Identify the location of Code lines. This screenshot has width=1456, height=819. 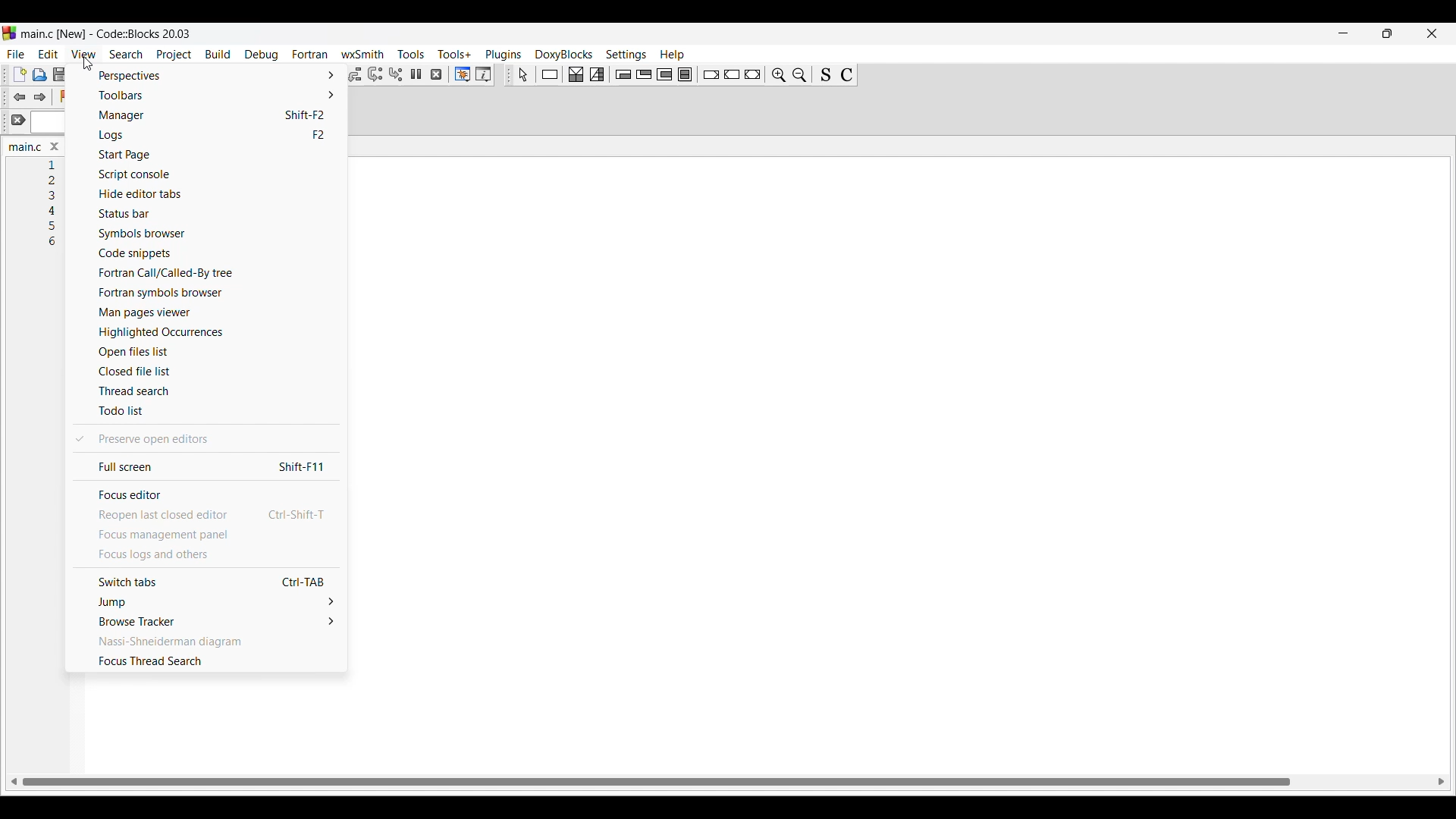
(56, 204).